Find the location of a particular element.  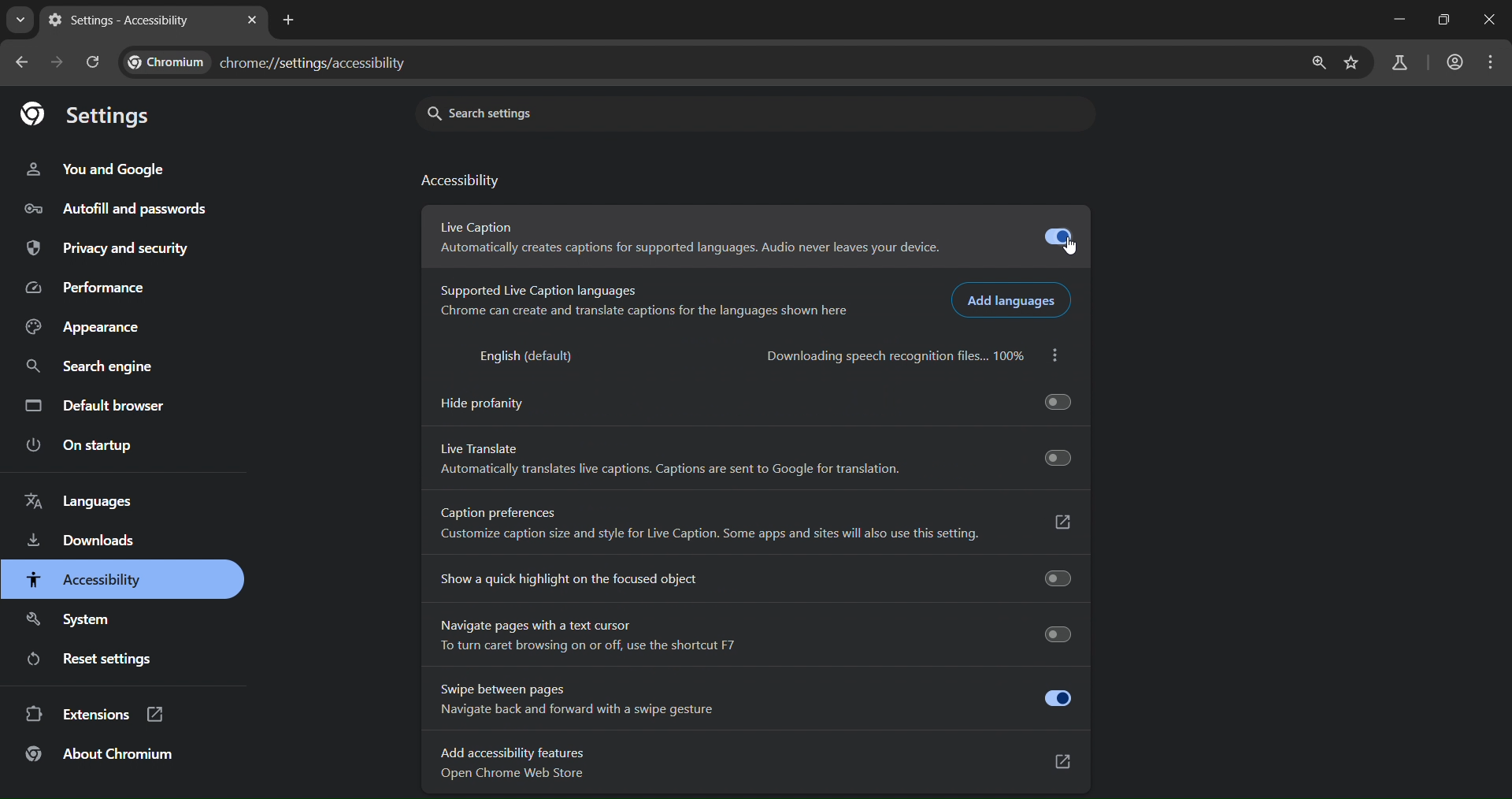

minimize is located at coordinates (1398, 17).